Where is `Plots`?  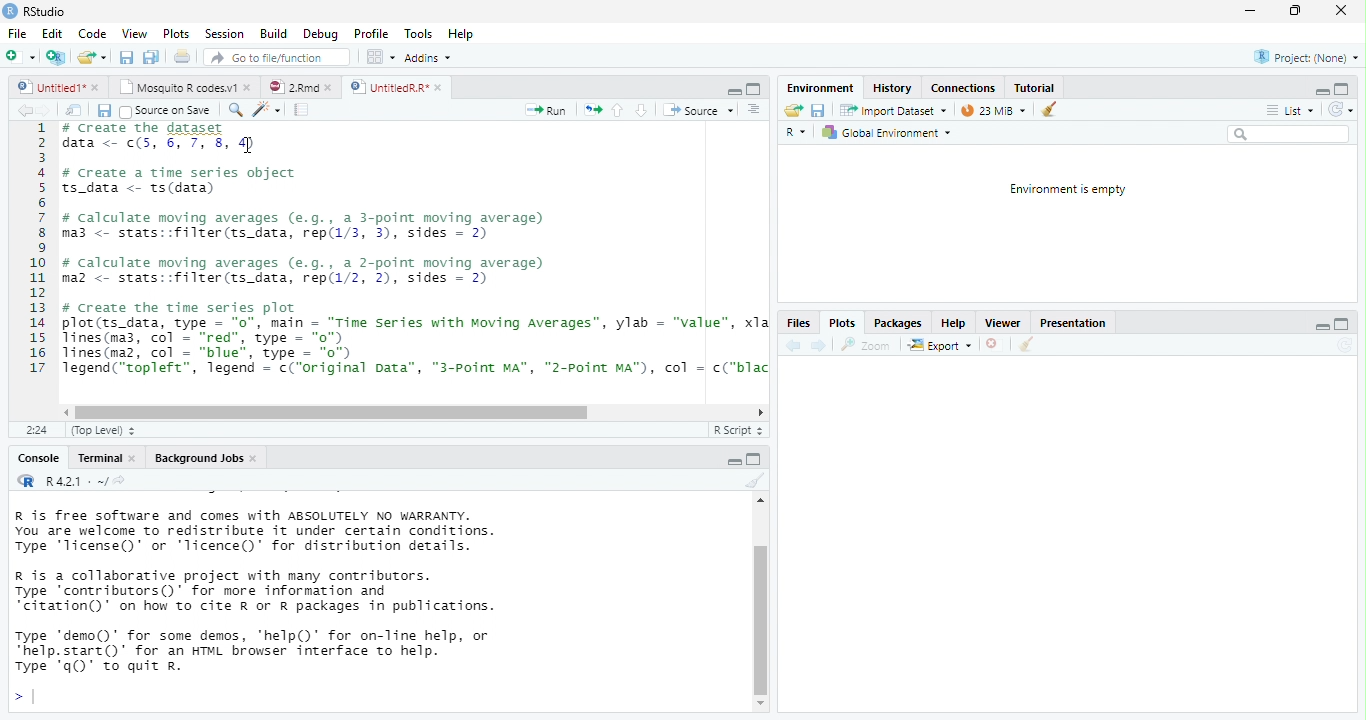 Plots is located at coordinates (177, 34).